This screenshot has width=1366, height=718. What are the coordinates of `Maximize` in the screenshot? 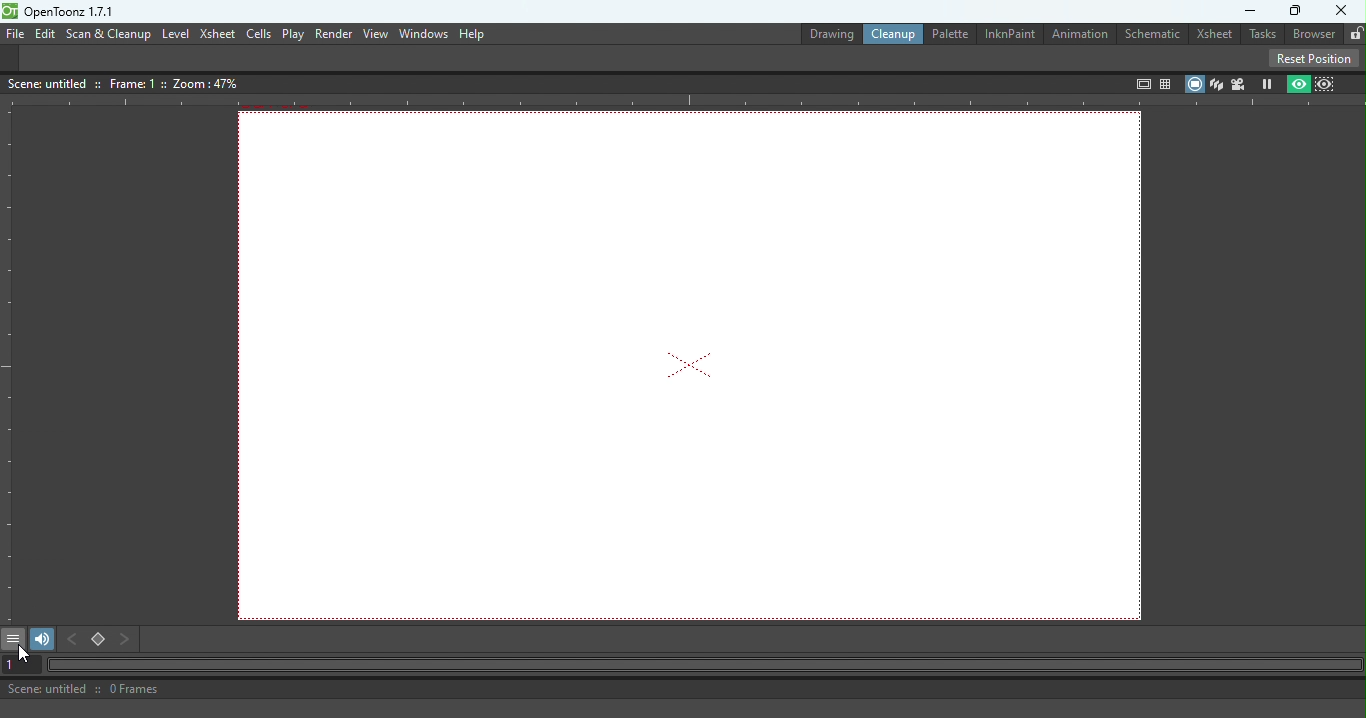 It's located at (1296, 11).